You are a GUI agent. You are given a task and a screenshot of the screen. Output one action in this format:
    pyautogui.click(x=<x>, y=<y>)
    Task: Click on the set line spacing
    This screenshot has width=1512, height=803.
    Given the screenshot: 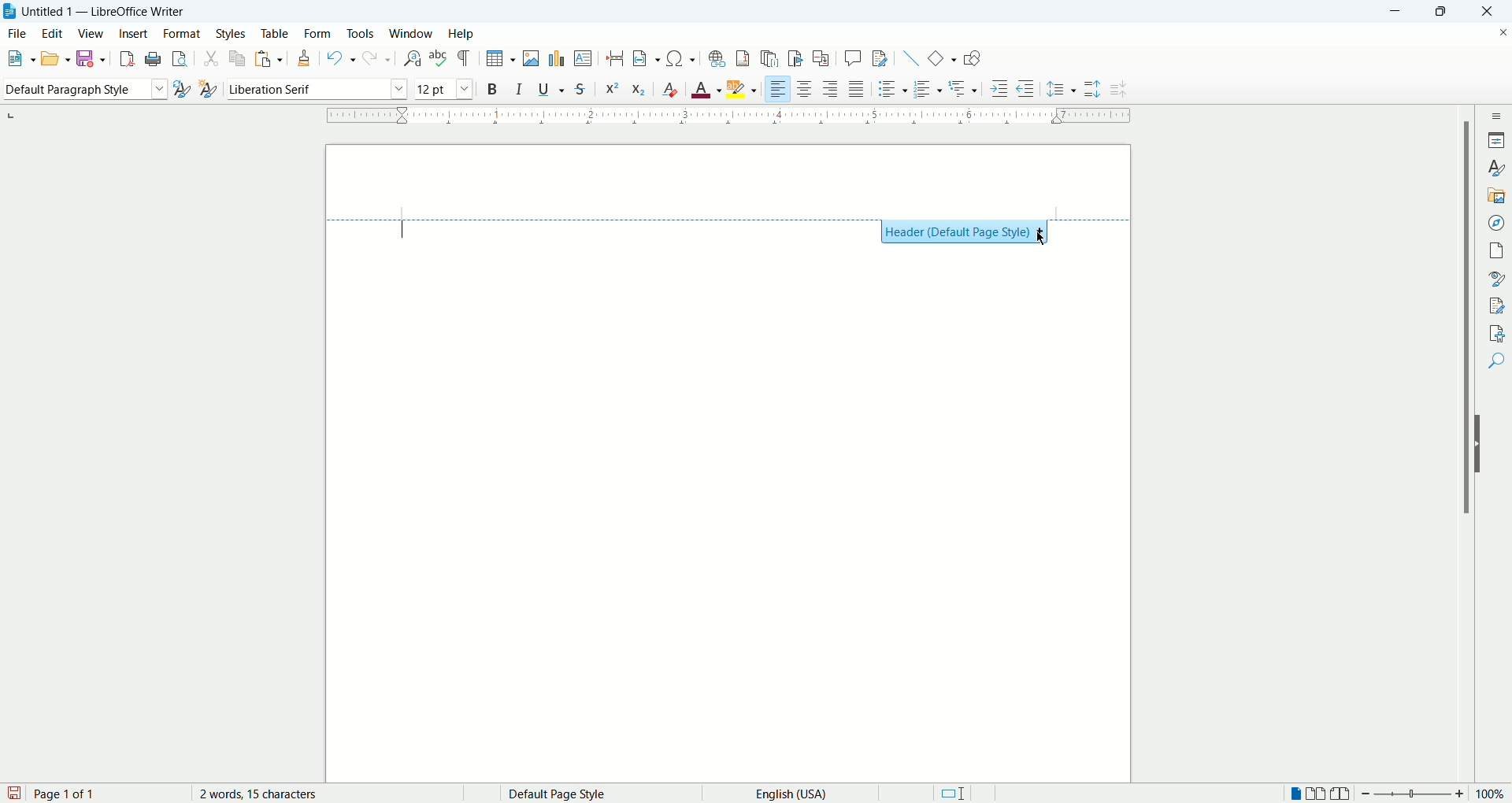 What is the action you would take?
    pyautogui.click(x=1061, y=88)
    